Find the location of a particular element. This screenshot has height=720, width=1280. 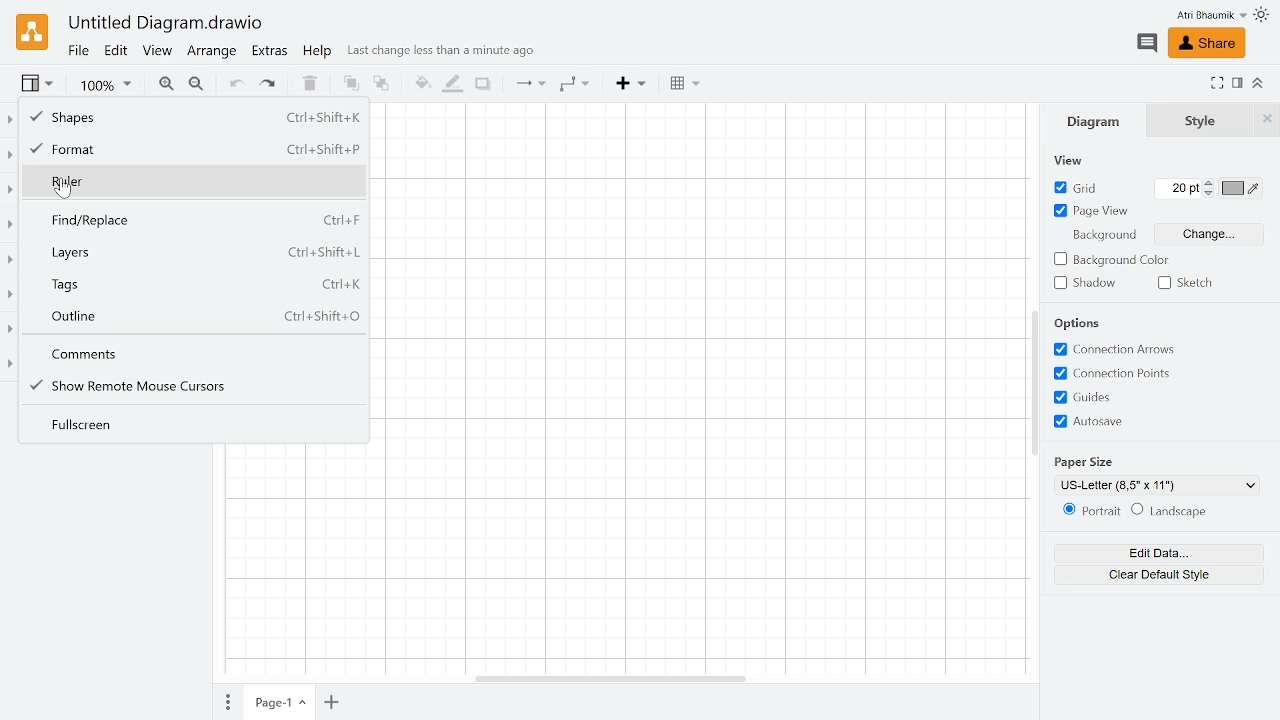

Format is located at coordinates (184, 149).